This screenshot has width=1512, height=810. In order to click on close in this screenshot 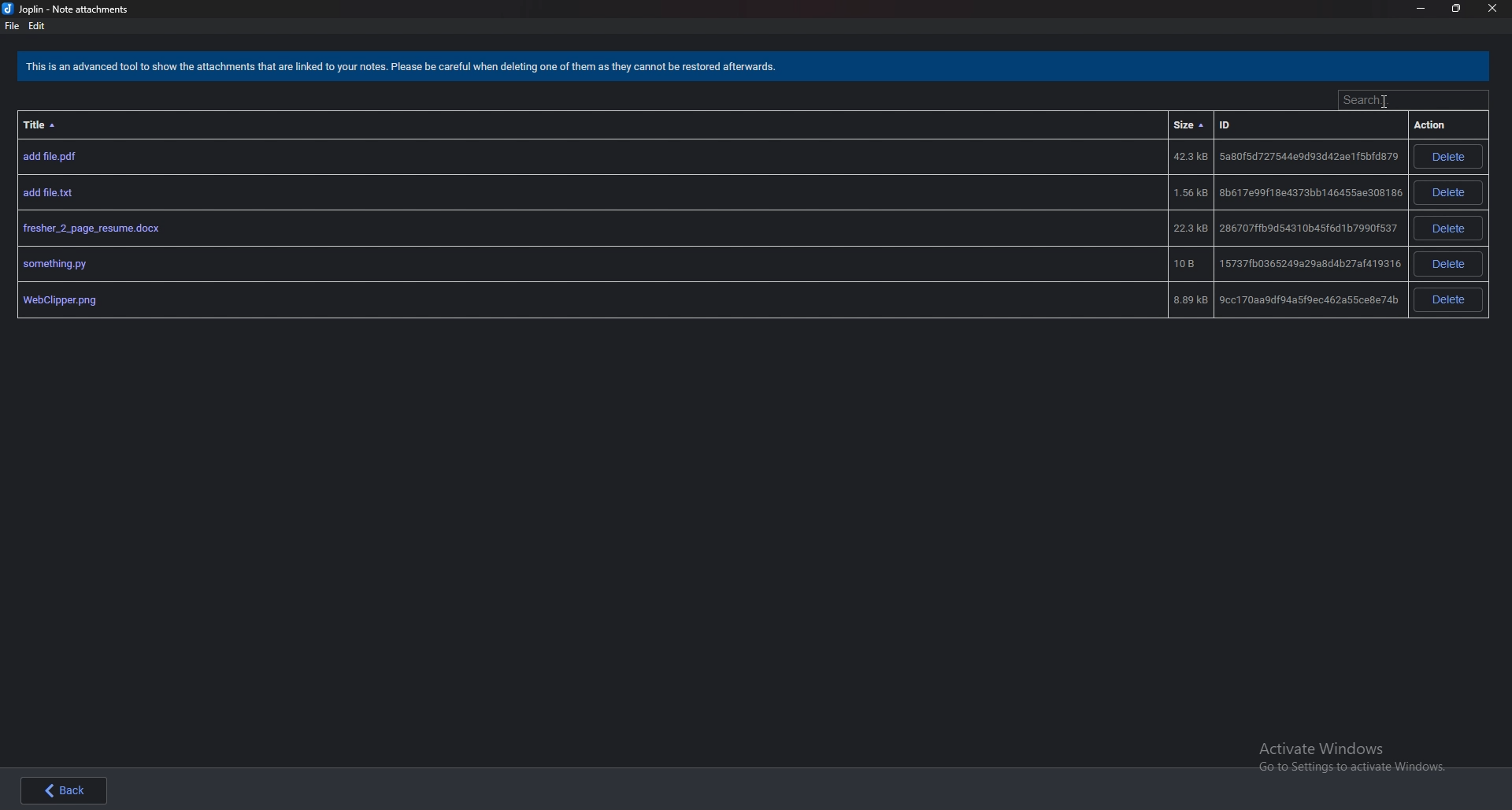, I will do `click(1492, 9)`.